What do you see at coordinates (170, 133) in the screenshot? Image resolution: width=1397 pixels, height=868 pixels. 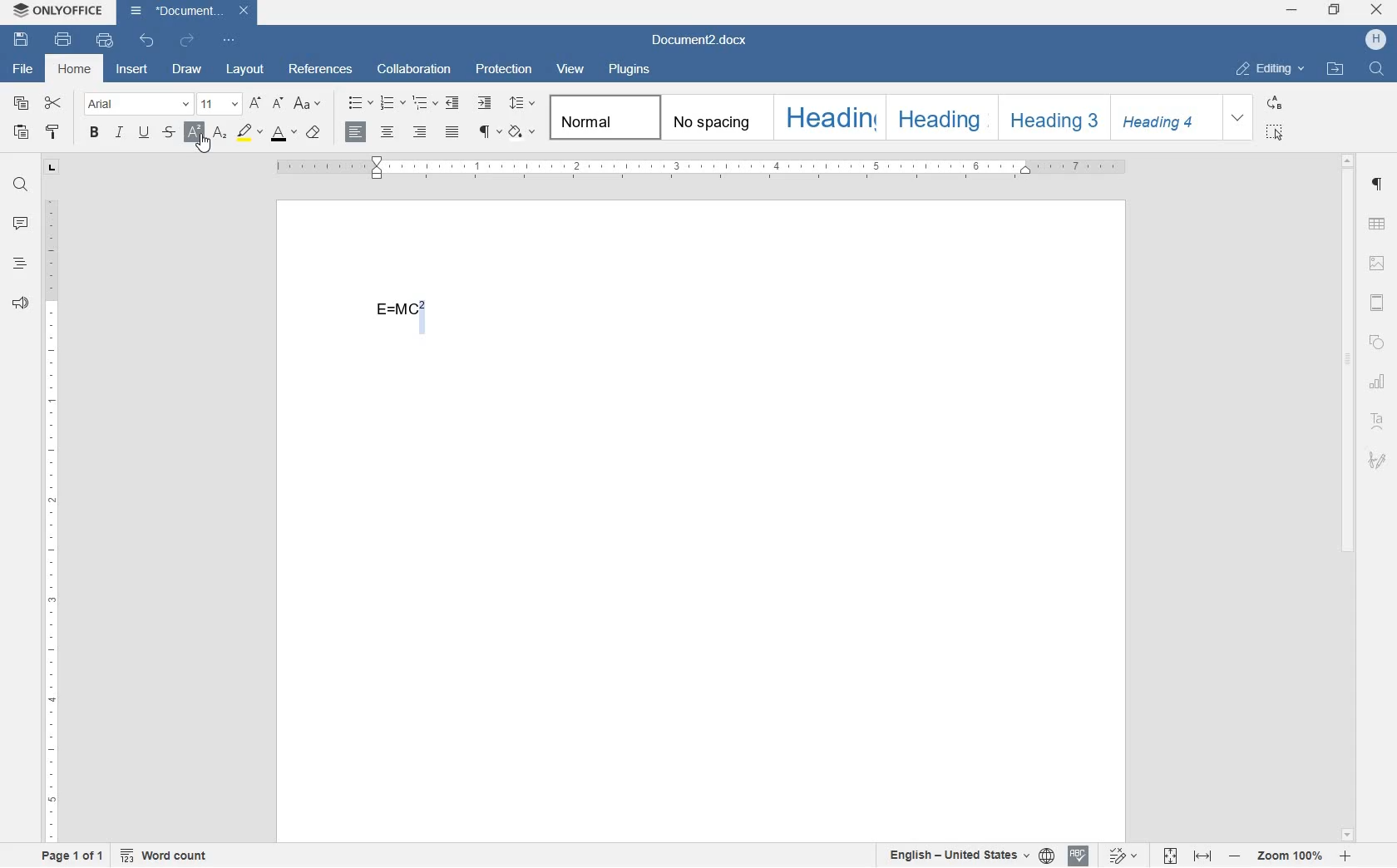 I see `strikethrough` at bounding box center [170, 133].